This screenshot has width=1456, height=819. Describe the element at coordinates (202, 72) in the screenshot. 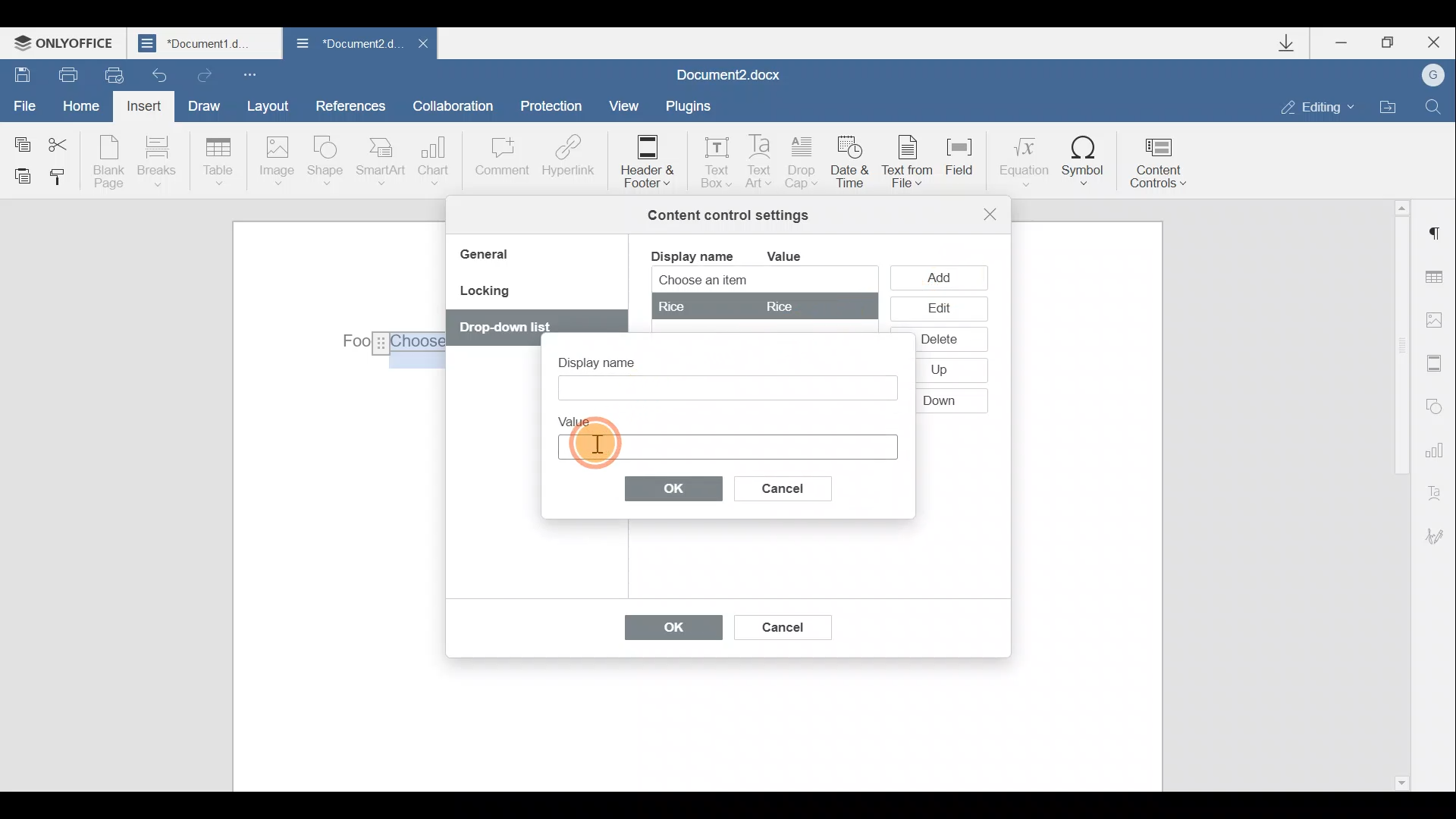

I see `Redo` at that location.